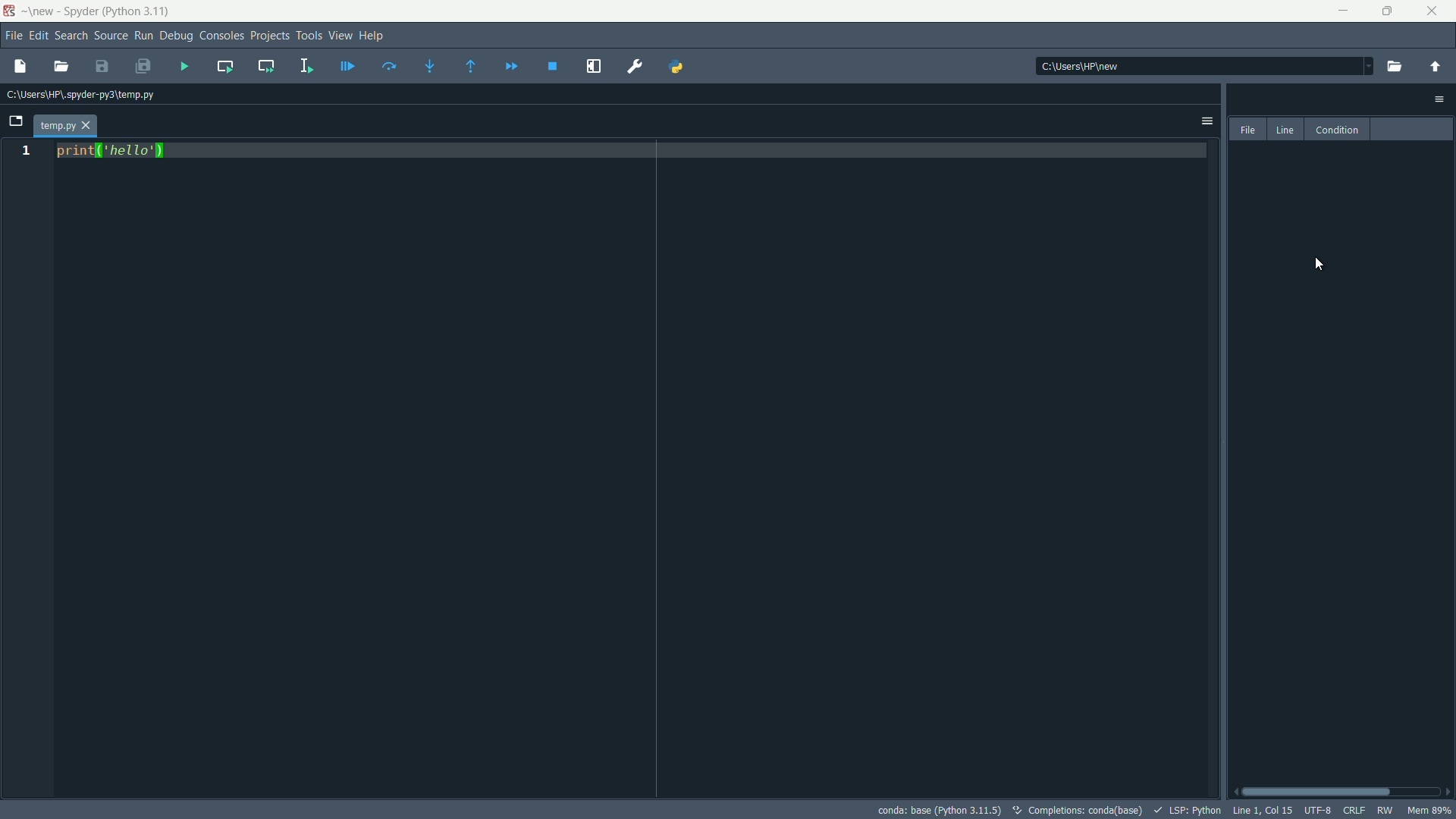  What do you see at coordinates (1341, 792) in the screenshot?
I see `scroll bar` at bounding box center [1341, 792].